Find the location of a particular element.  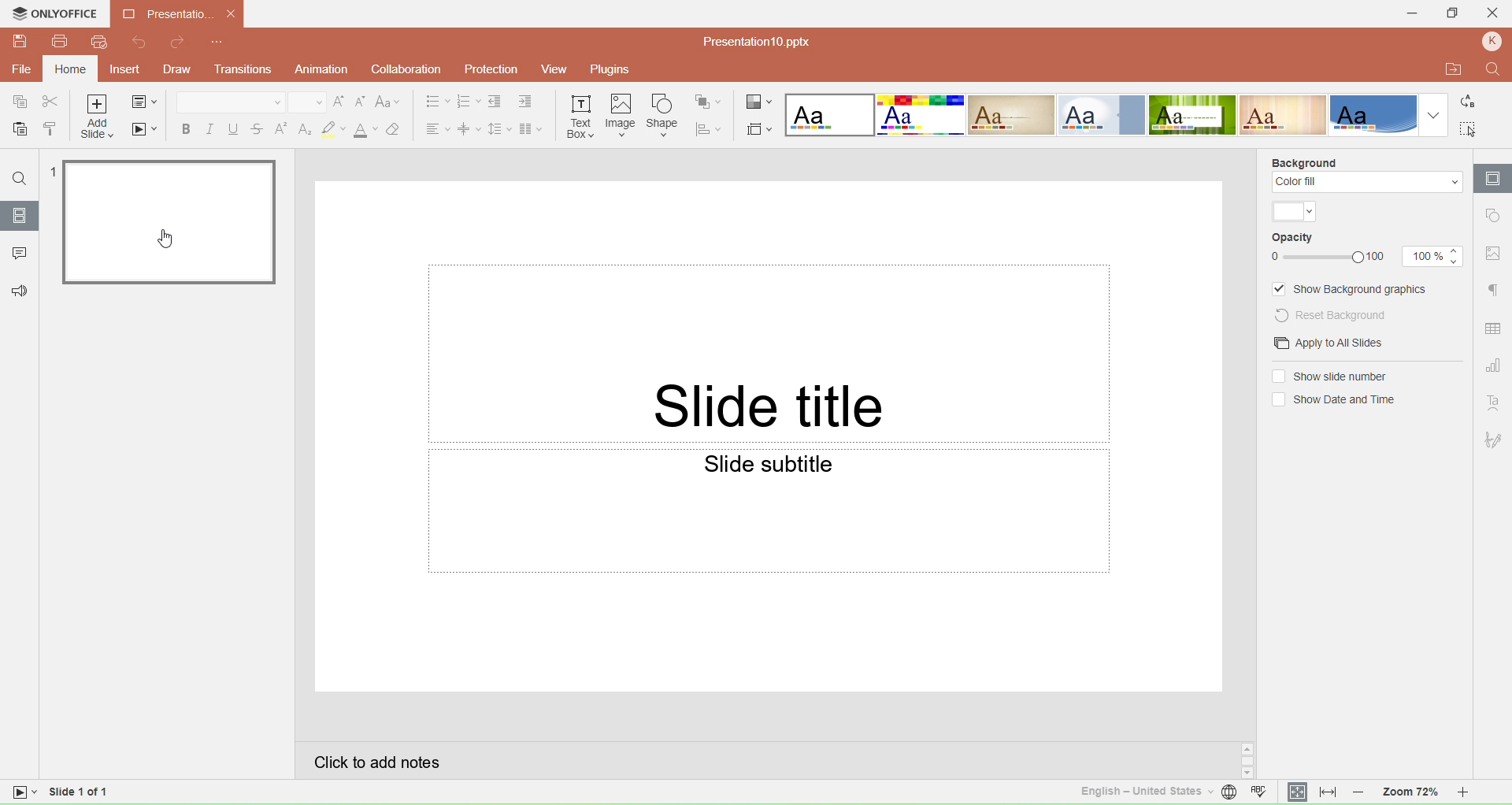

Blank is located at coordinates (828, 115).